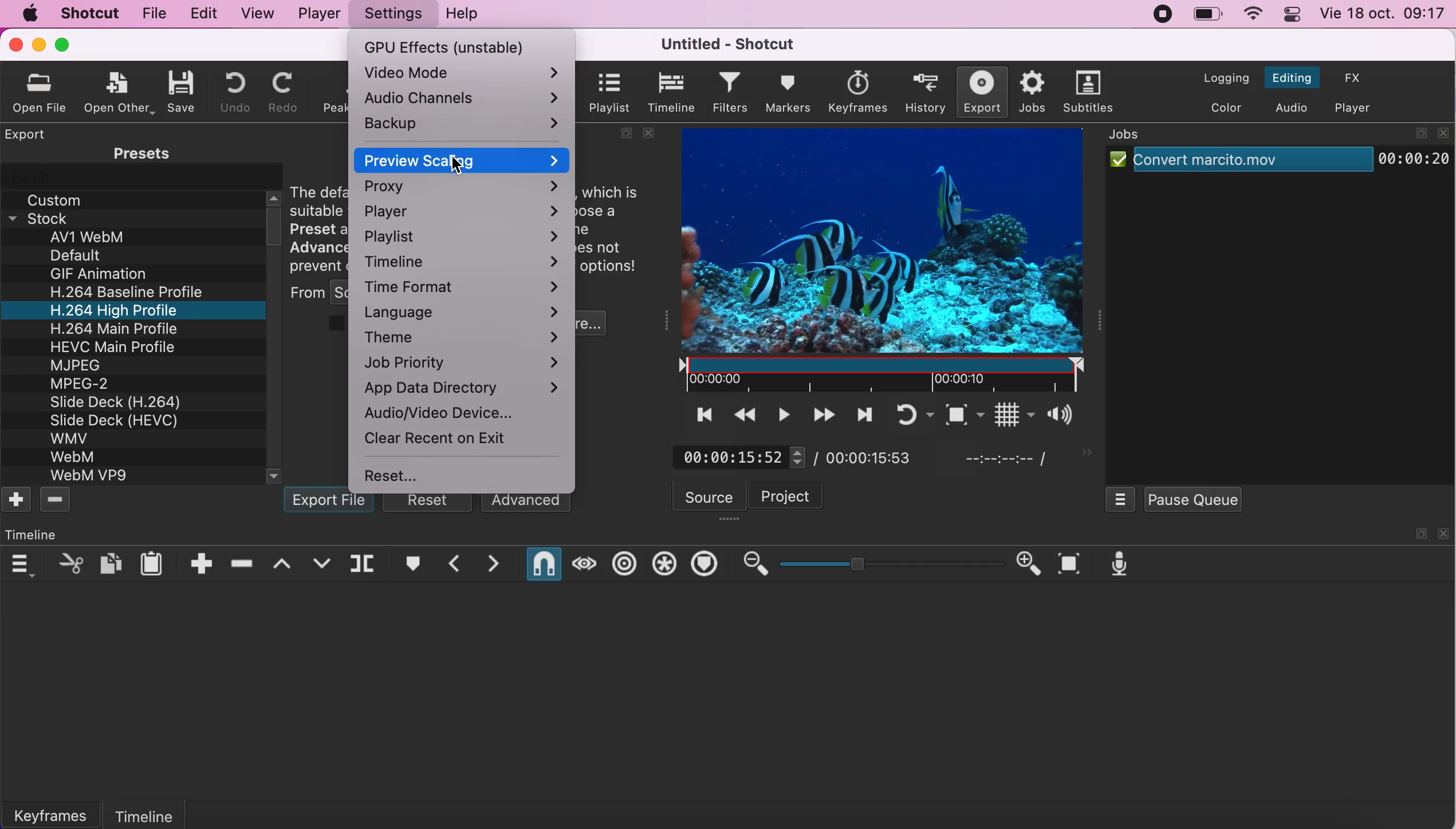 The image size is (1456, 829). I want to click on undo, so click(229, 92).